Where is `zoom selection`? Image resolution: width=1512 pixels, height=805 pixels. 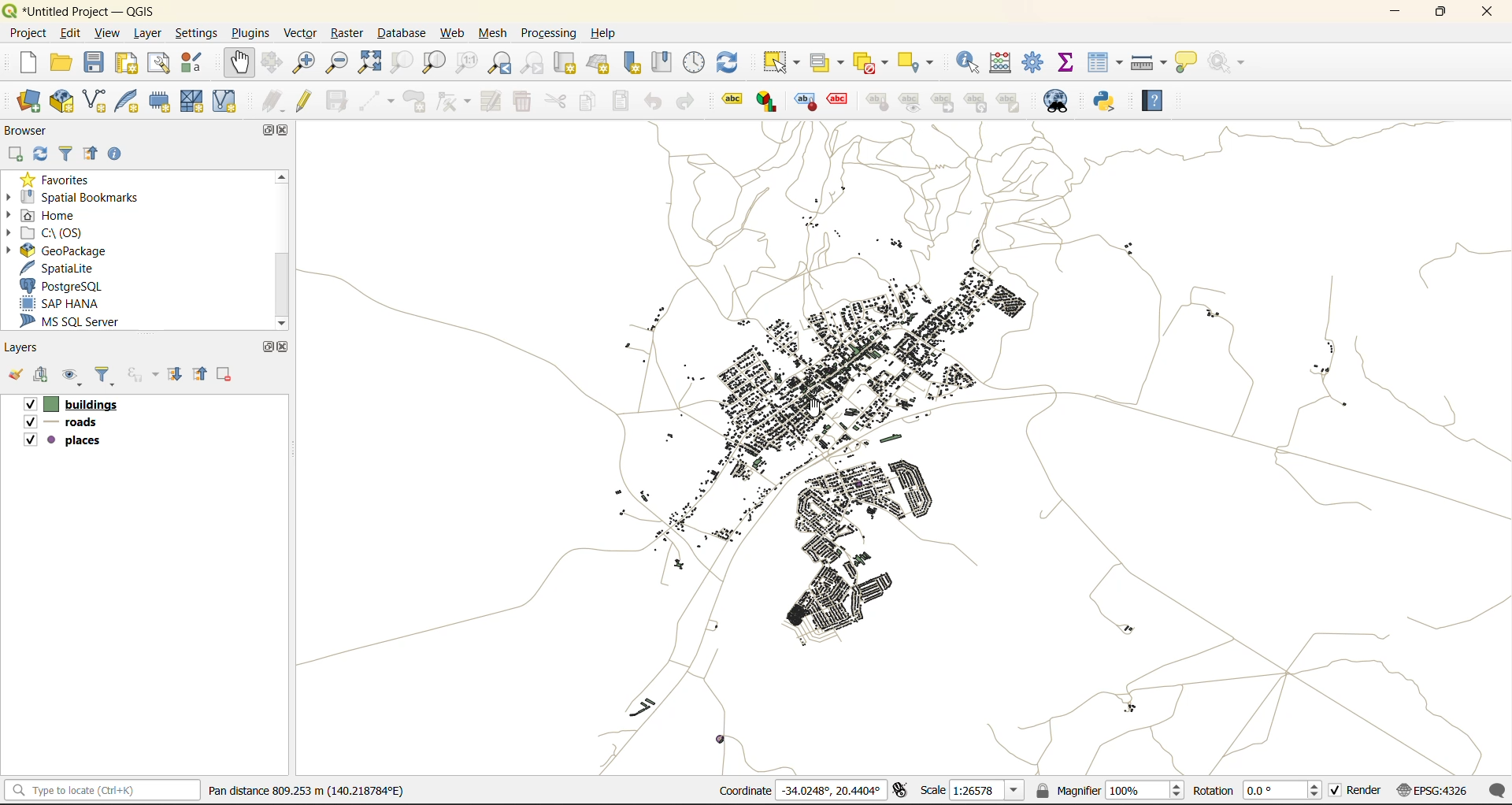 zoom selection is located at coordinates (406, 65).